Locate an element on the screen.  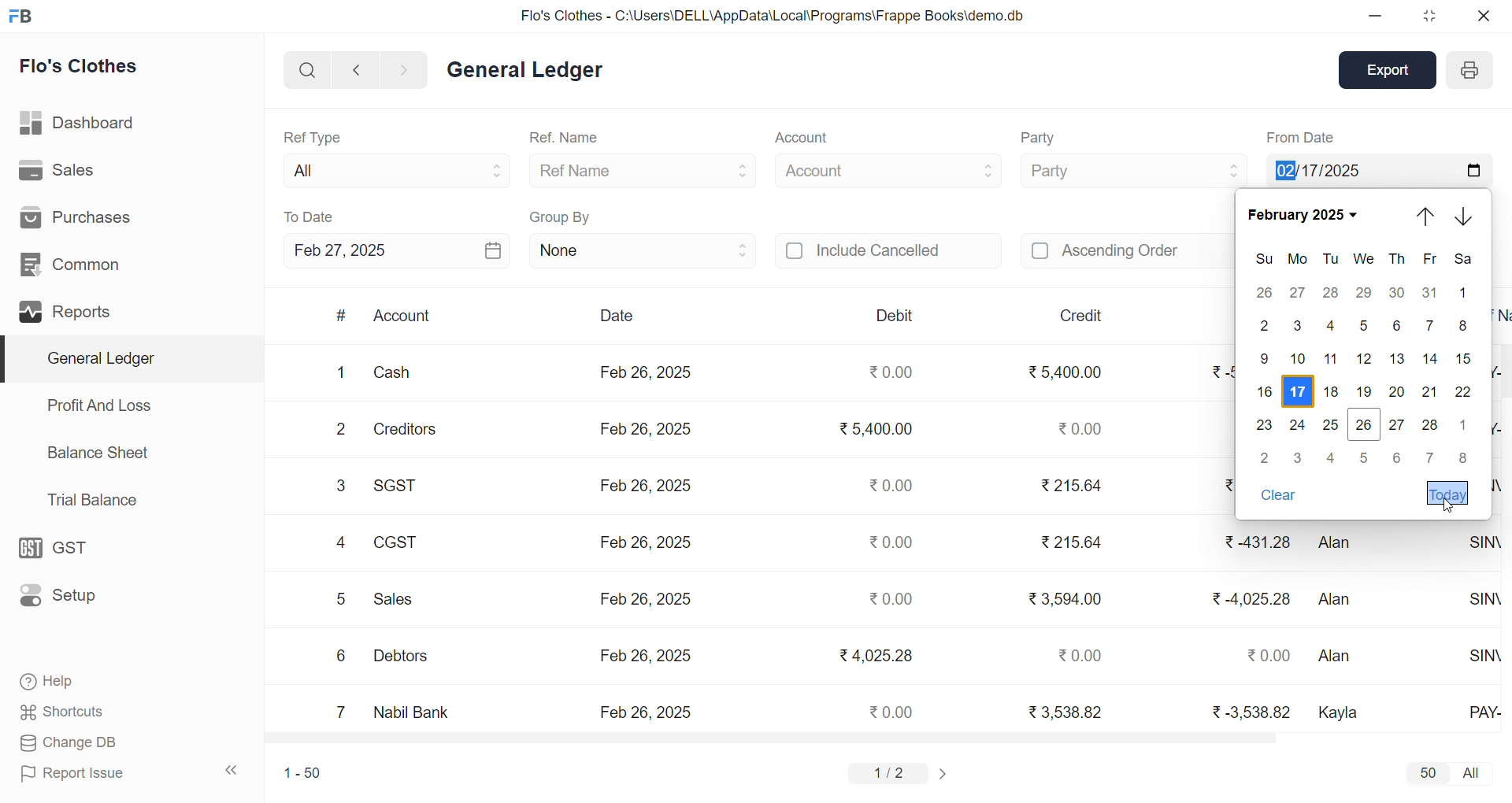
Sa is located at coordinates (1460, 261).